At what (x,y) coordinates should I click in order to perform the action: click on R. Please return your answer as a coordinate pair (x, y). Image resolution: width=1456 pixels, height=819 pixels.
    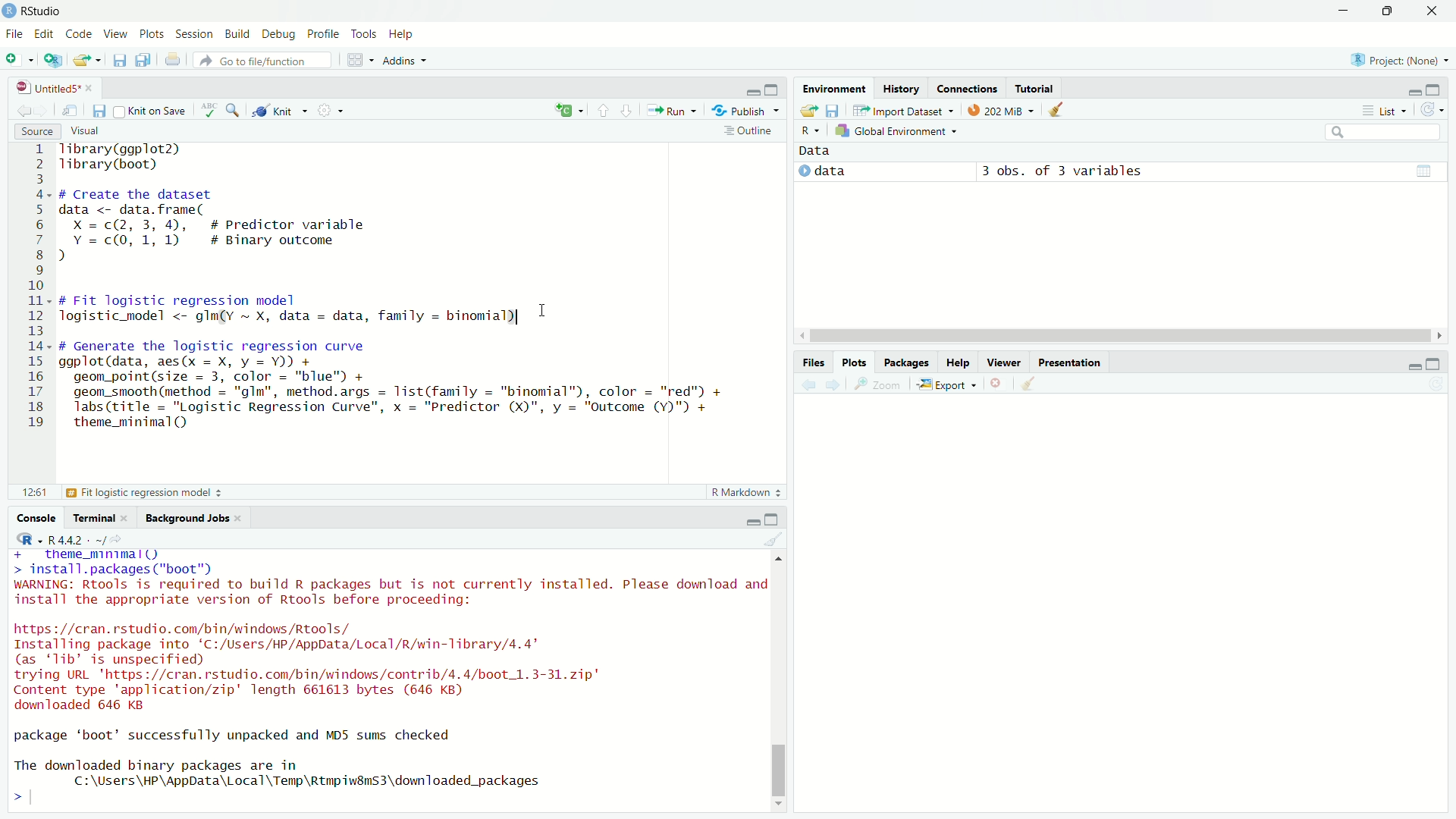
    Looking at the image, I should click on (30, 539).